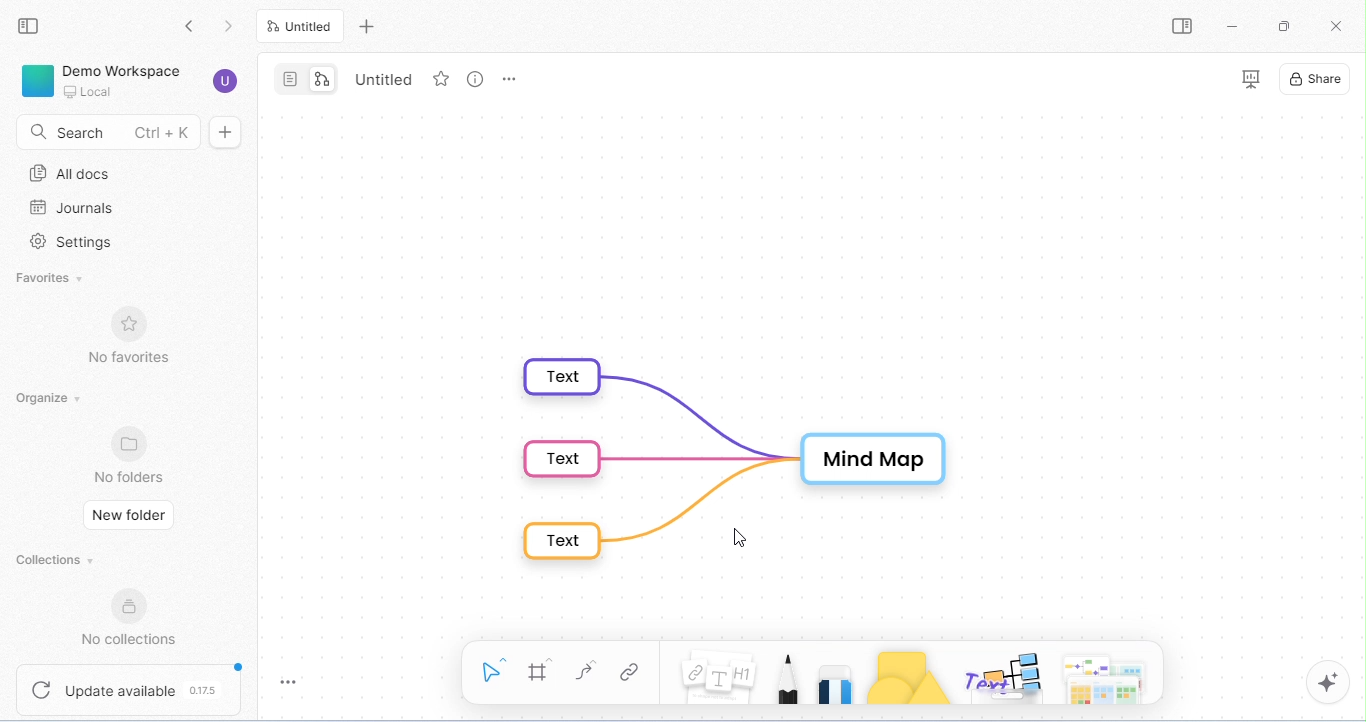  Describe the element at coordinates (231, 27) in the screenshot. I see `go forward` at that location.